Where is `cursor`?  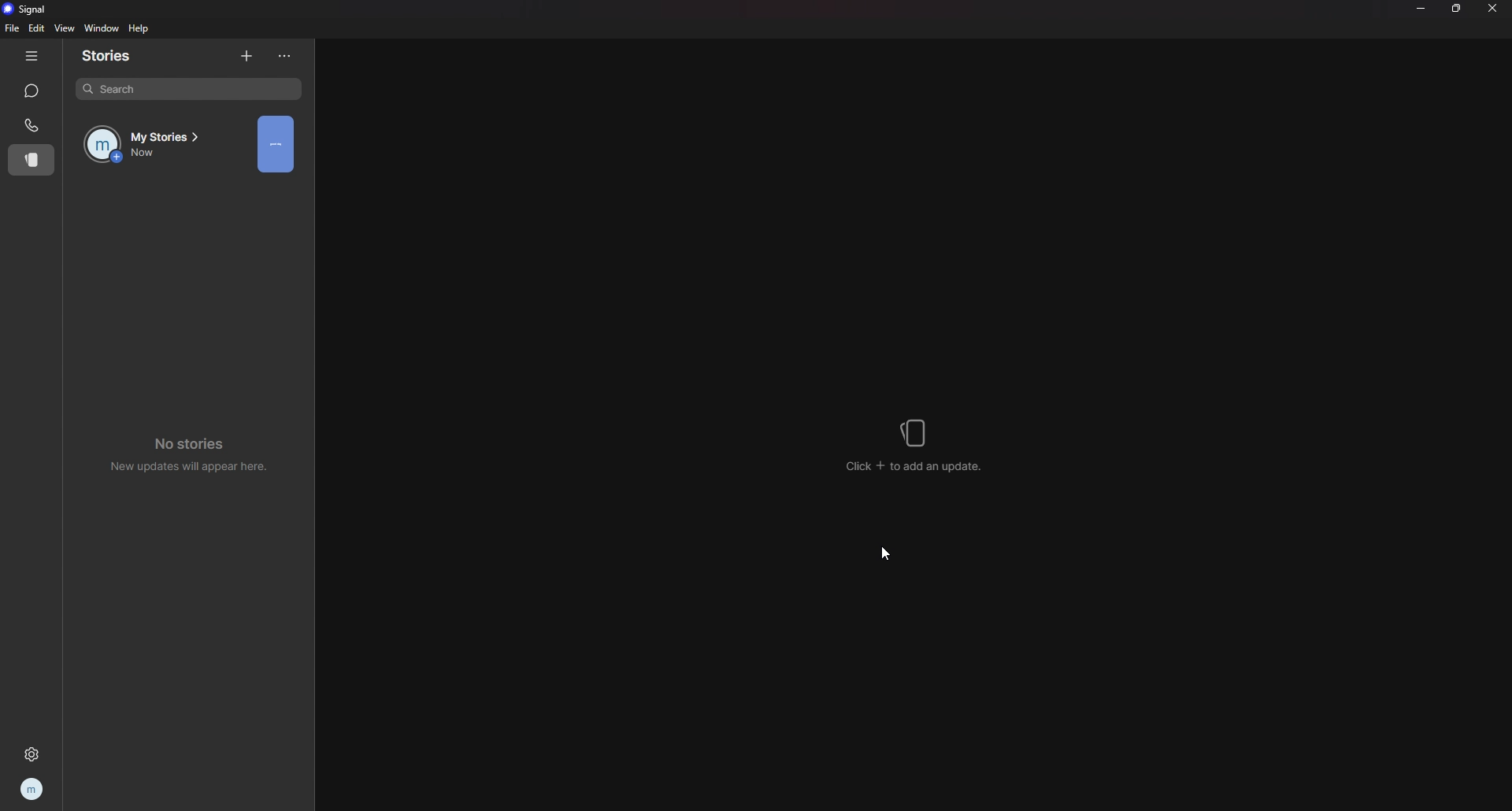
cursor is located at coordinates (889, 553).